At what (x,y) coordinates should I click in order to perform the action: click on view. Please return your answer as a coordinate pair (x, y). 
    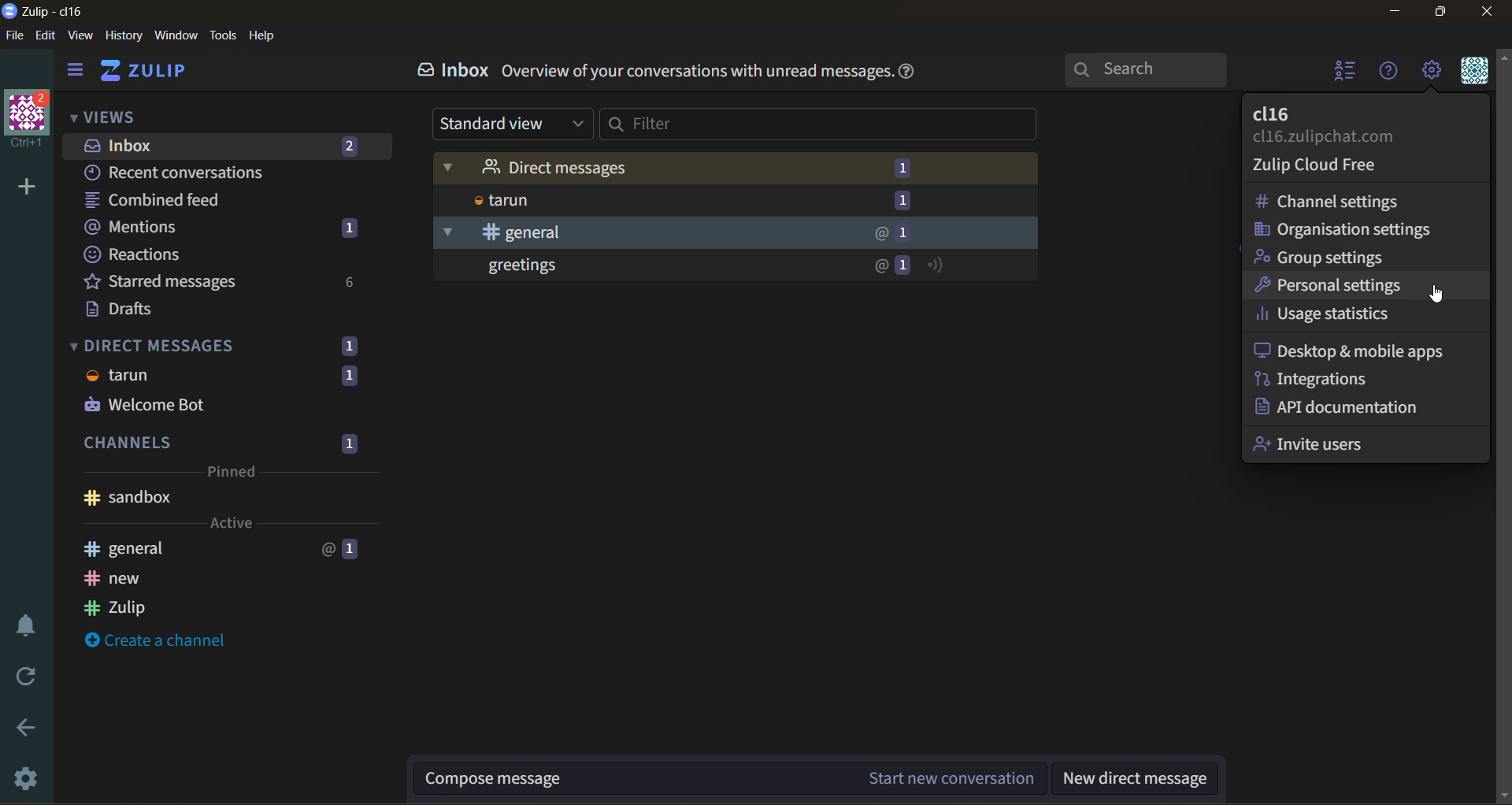
    Looking at the image, I should click on (81, 36).